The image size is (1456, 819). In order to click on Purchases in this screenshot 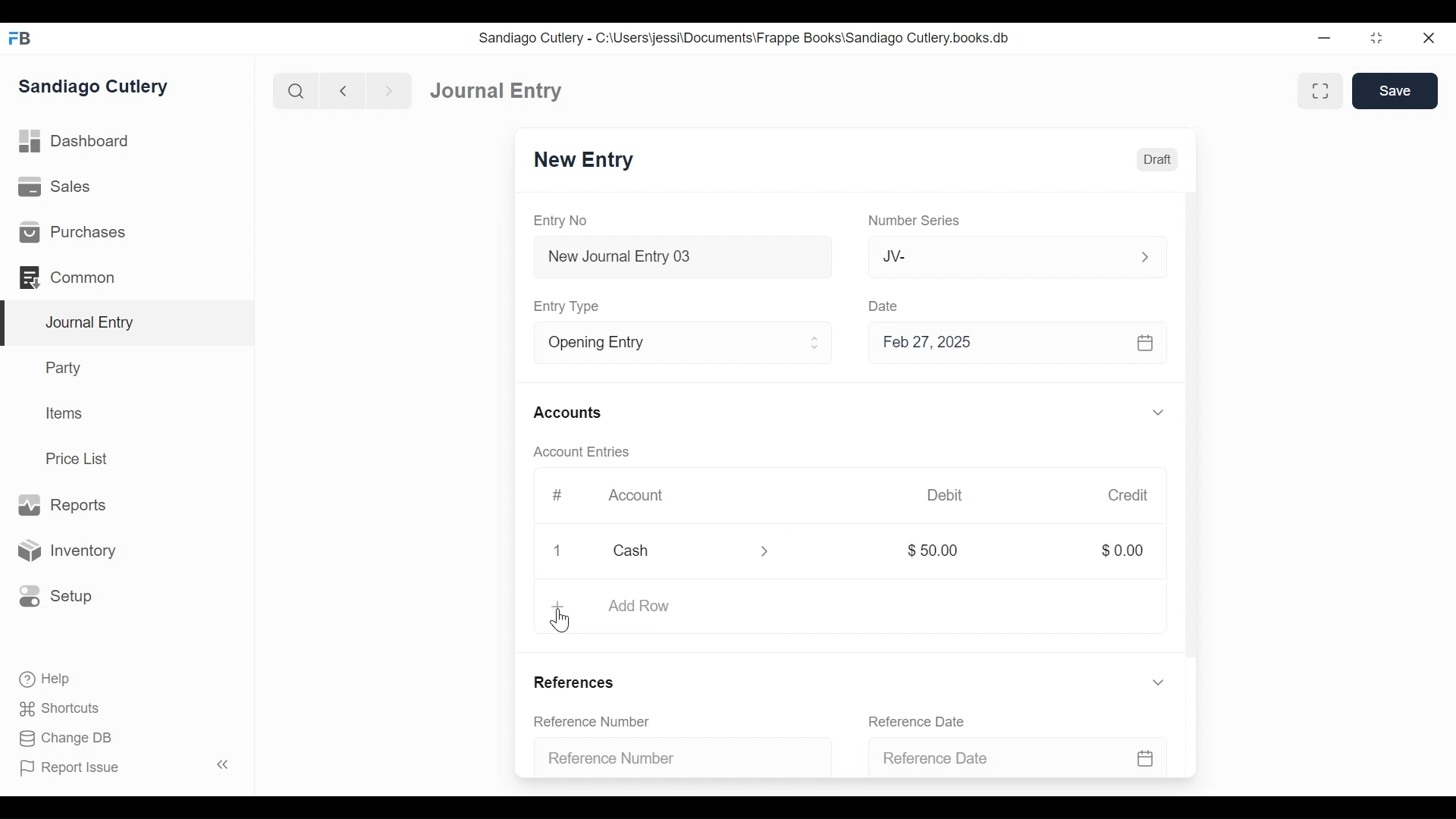, I will do `click(75, 232)`.